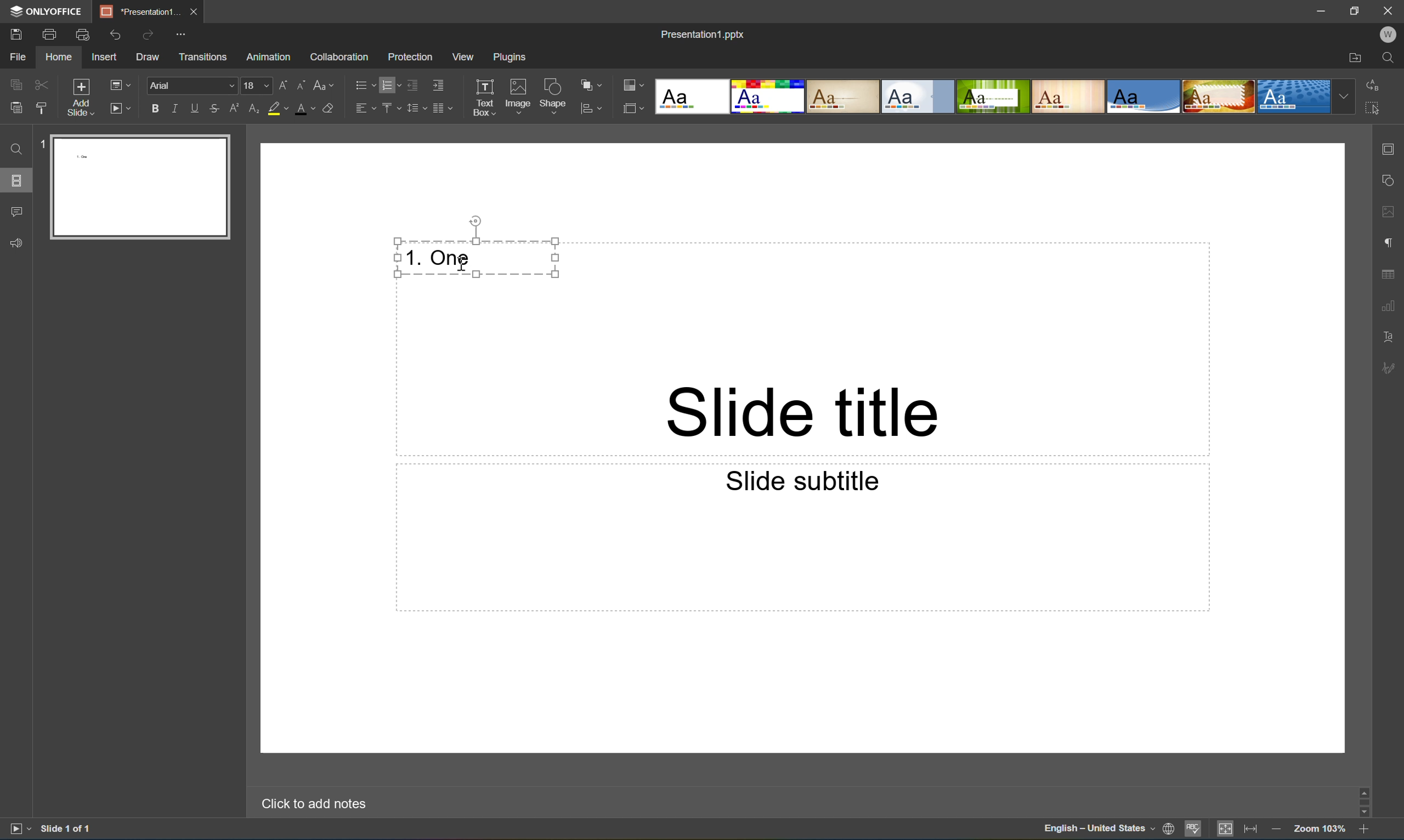  I want to click on Quick print, so click(84, 35).